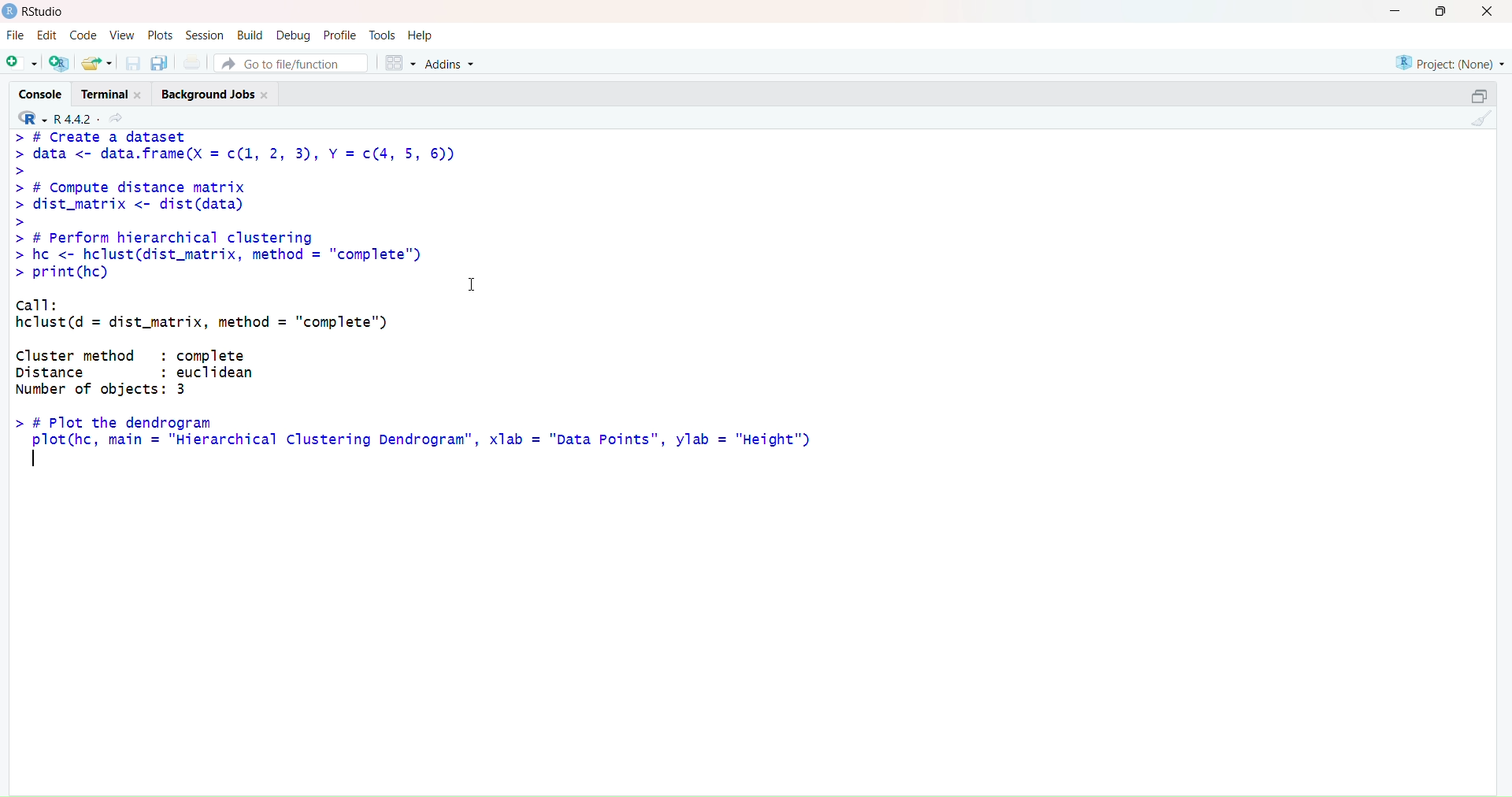 This screenshot has height=797, width=1512. I want to click on Prompt cursor, so click(26, 424).